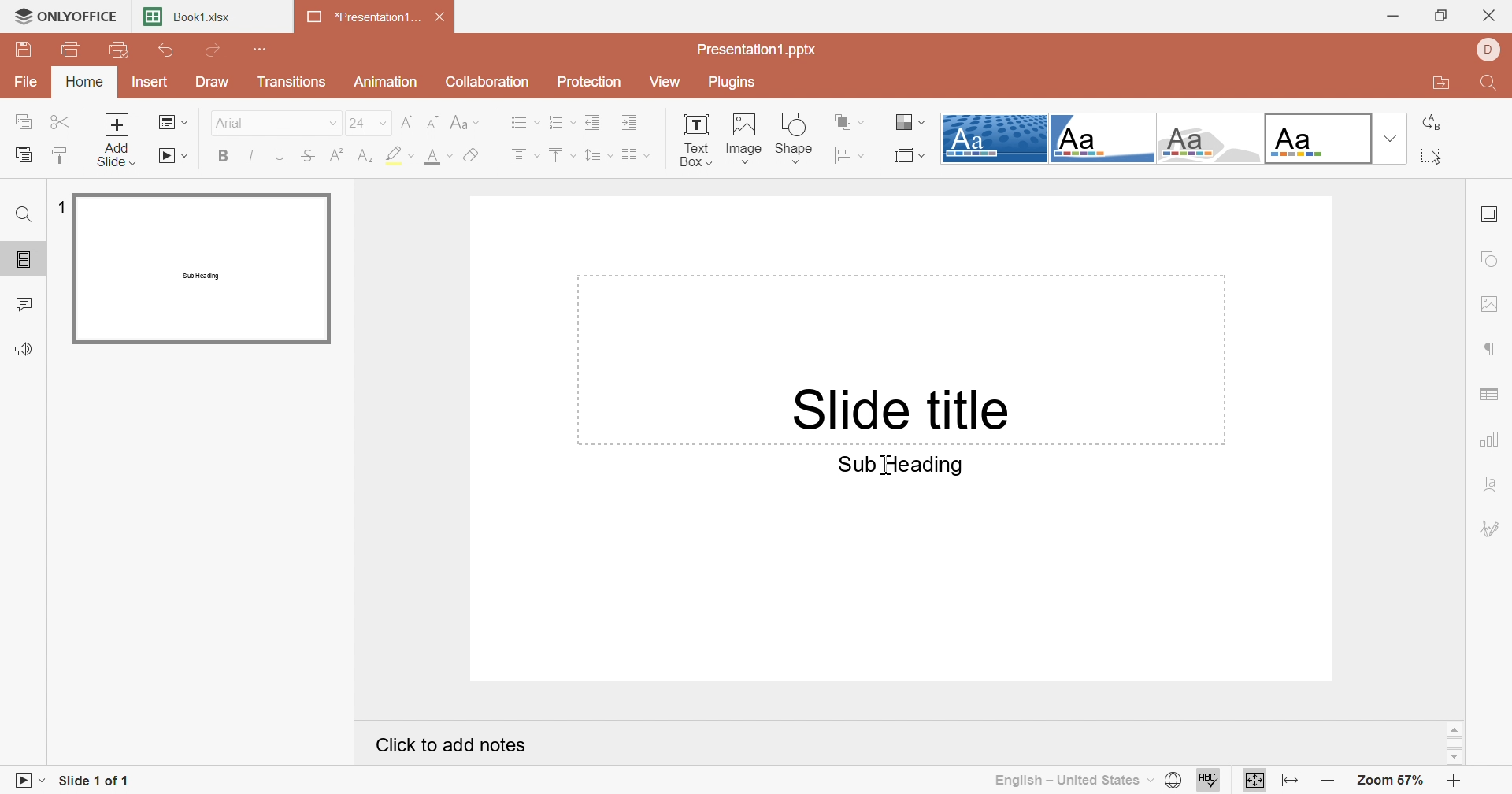 Image resolution: width=1512 pixels, height=794 pixels. What do you see at coordinates (694, 138) in the screenshot?
I see `Text Box` at bounding box center [694, 138].